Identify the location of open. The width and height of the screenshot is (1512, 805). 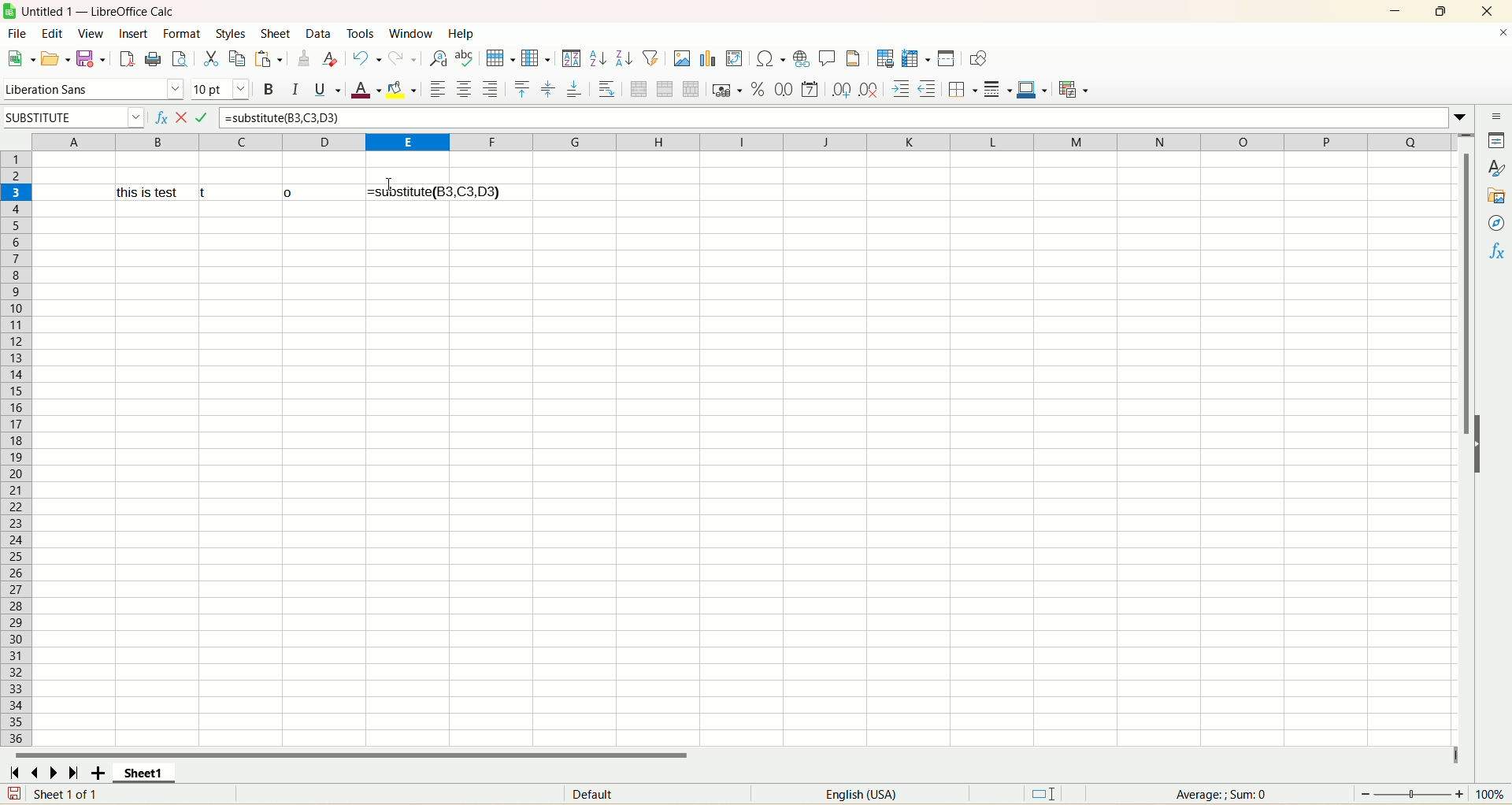
(53, 60).